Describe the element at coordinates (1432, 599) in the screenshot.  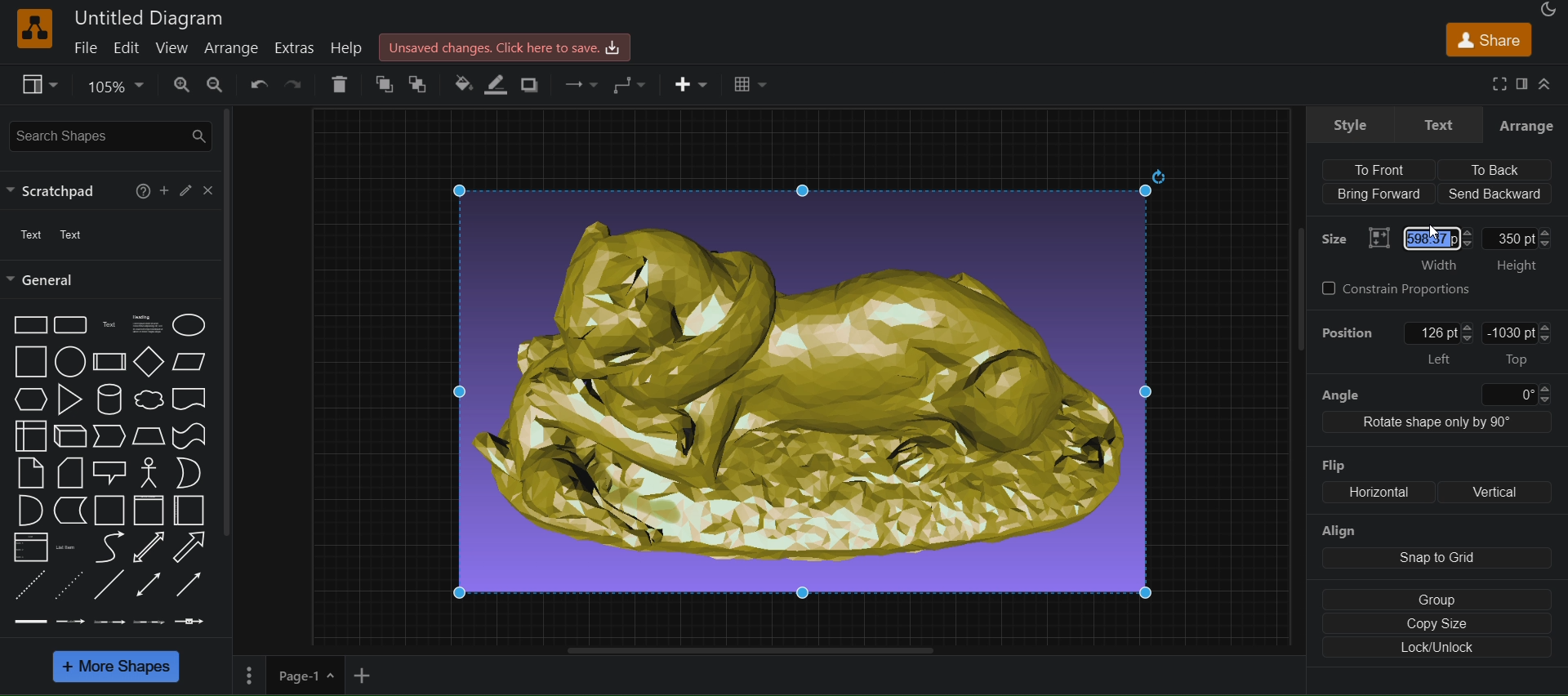
I see `group` at that location.